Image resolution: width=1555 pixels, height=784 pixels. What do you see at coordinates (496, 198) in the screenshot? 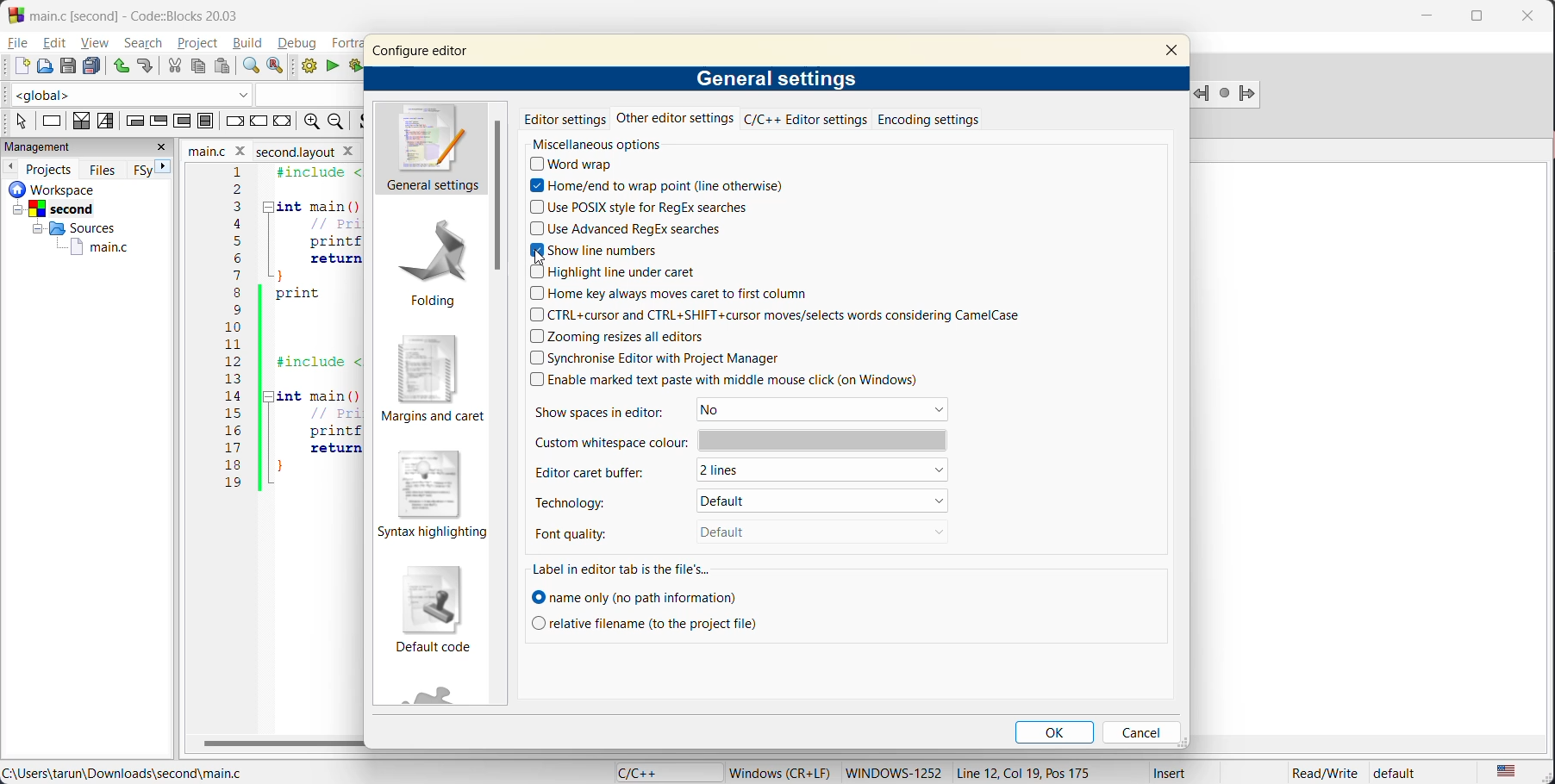
I see `vertical scroll bar` at bounding box center [496, 198].